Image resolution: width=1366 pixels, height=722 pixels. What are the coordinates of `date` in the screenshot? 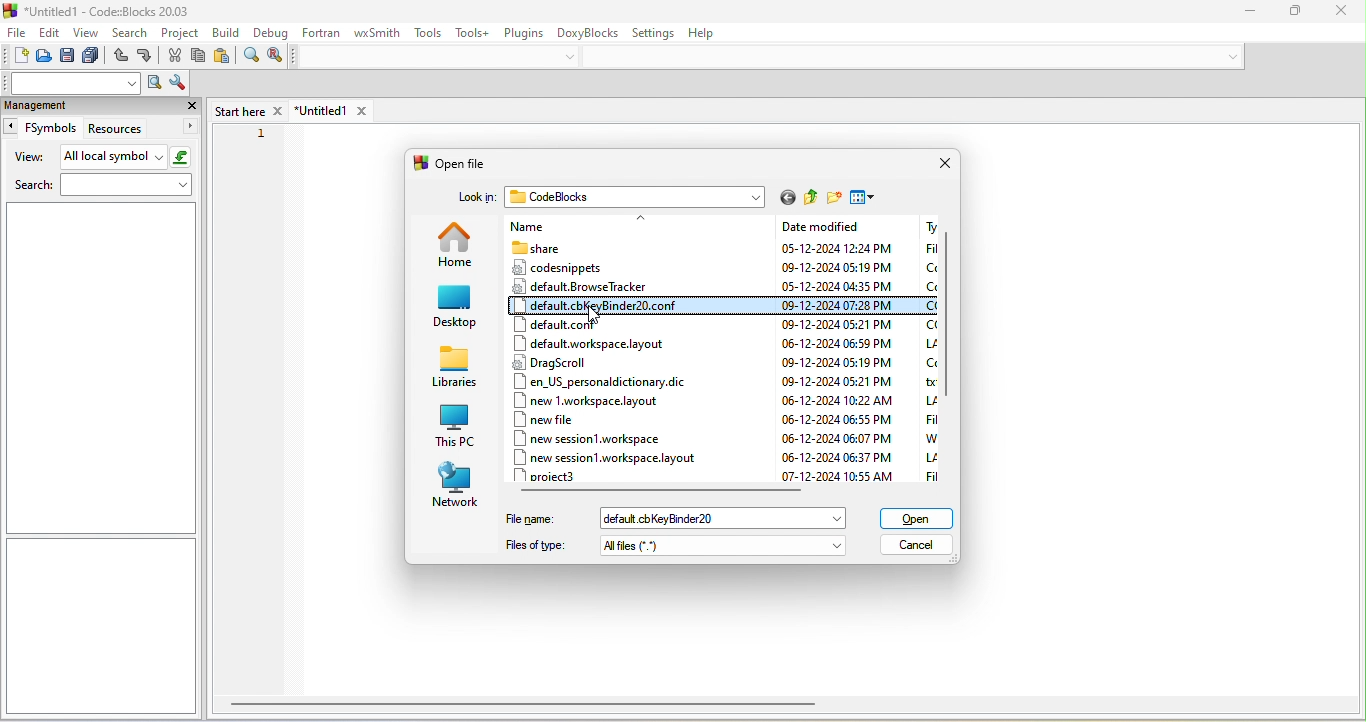 It's located at (832, 456).